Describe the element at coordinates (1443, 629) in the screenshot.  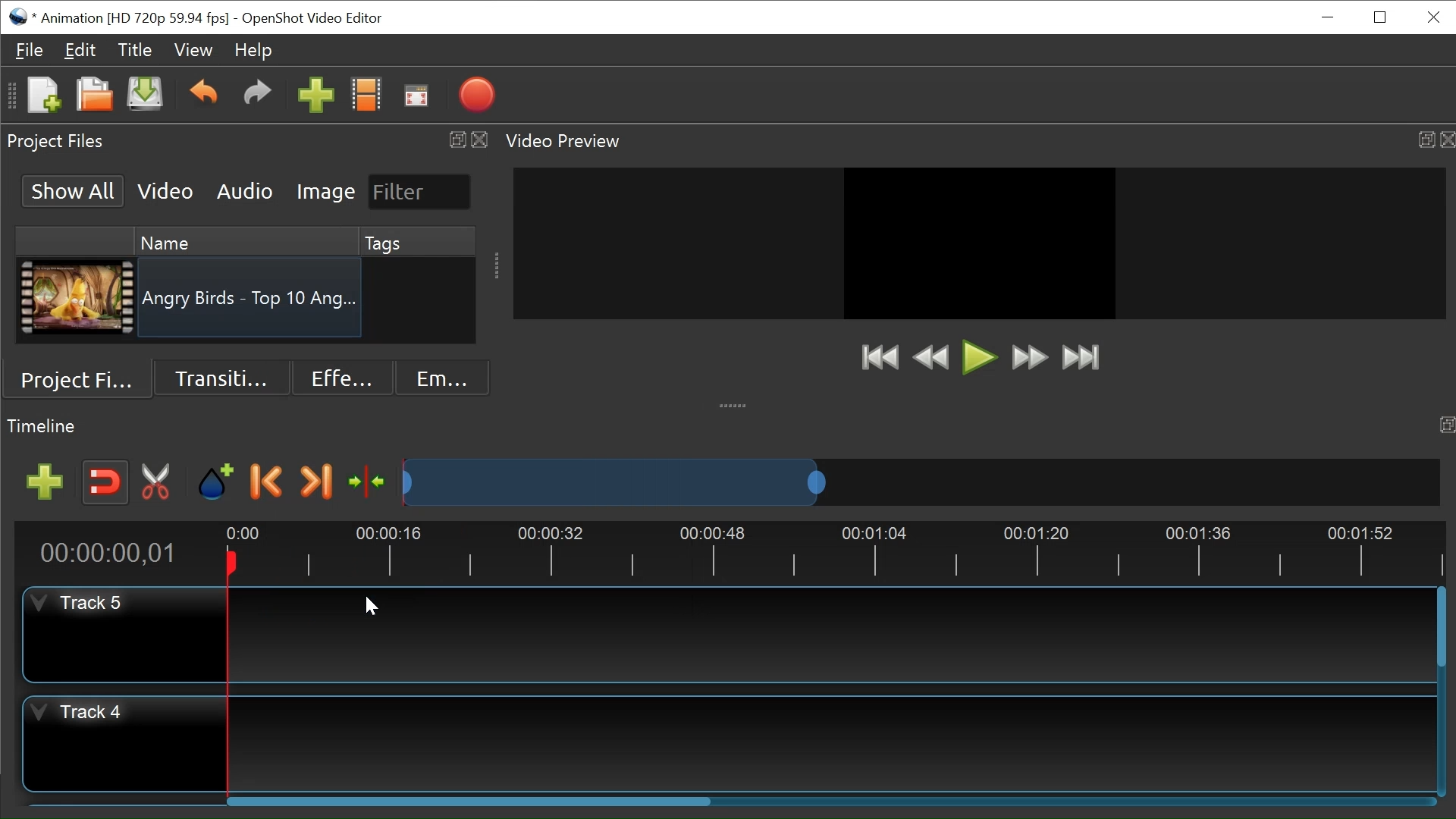
I see `Vertical Scroll bar` at that location.